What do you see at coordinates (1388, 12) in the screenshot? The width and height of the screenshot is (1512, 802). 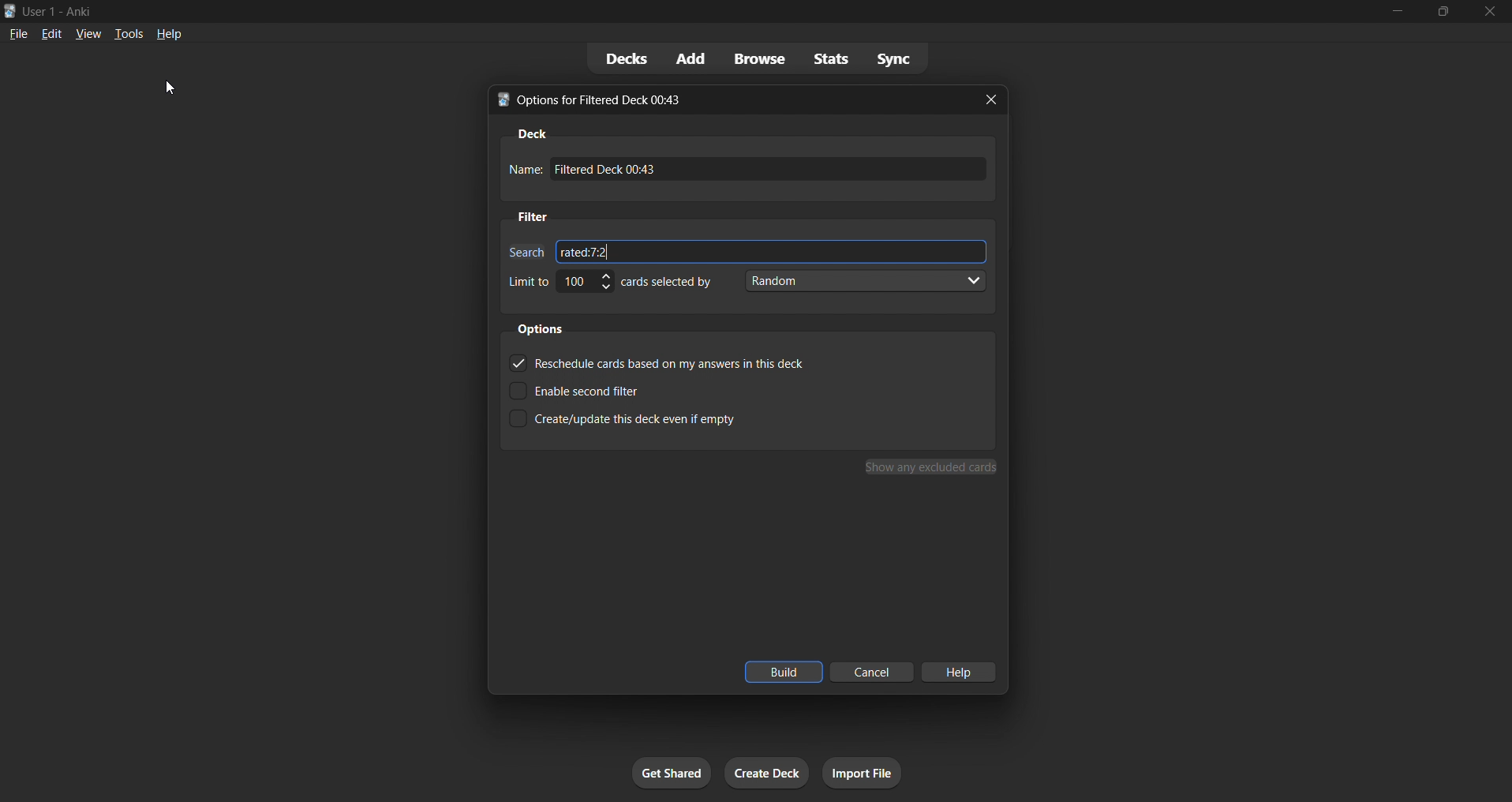 I see `minimize` at bounding box center [1388, 12].